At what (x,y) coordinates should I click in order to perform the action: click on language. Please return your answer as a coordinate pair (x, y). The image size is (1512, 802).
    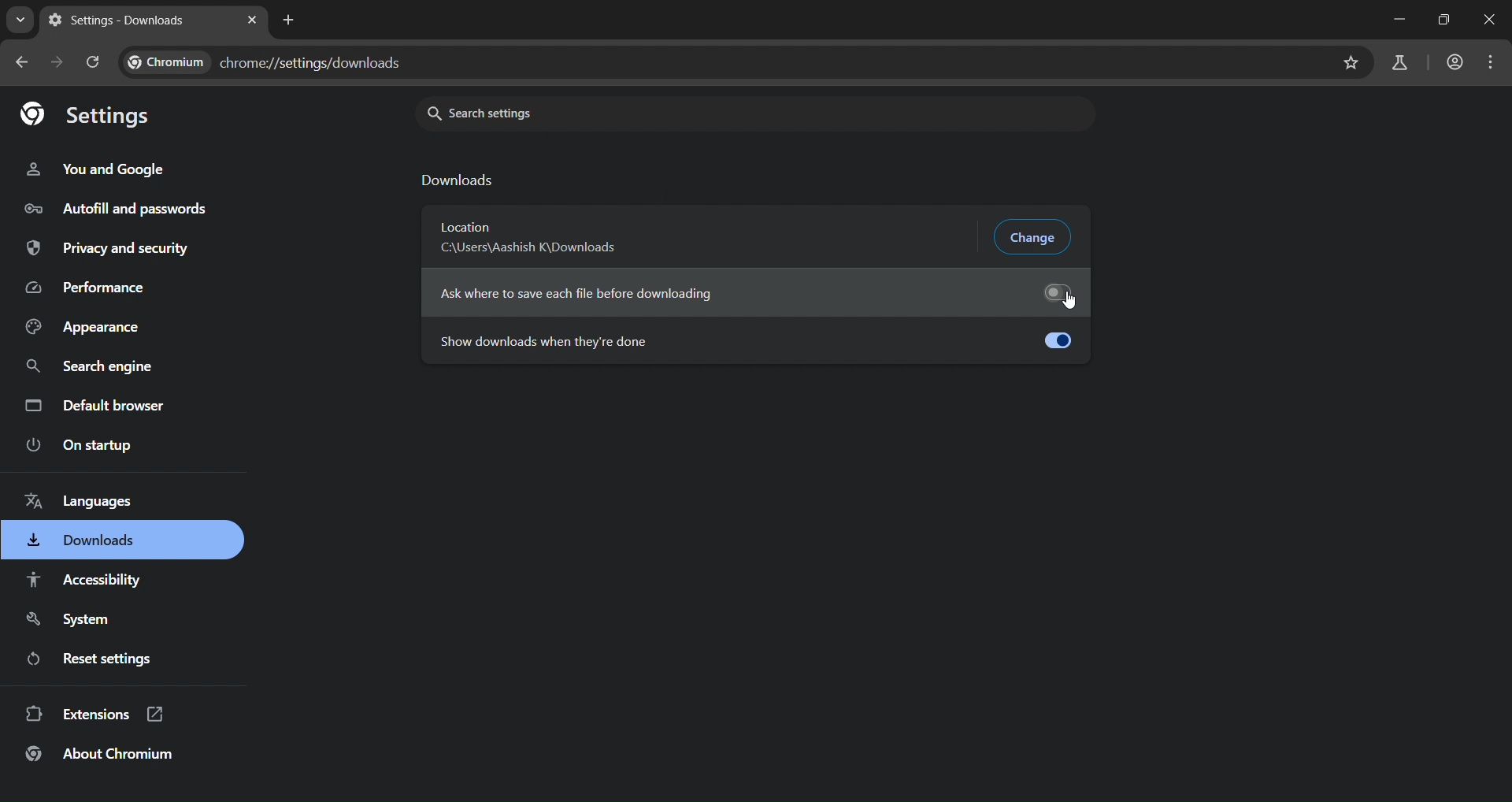
    Looking at the image, I should click on (94, 503).